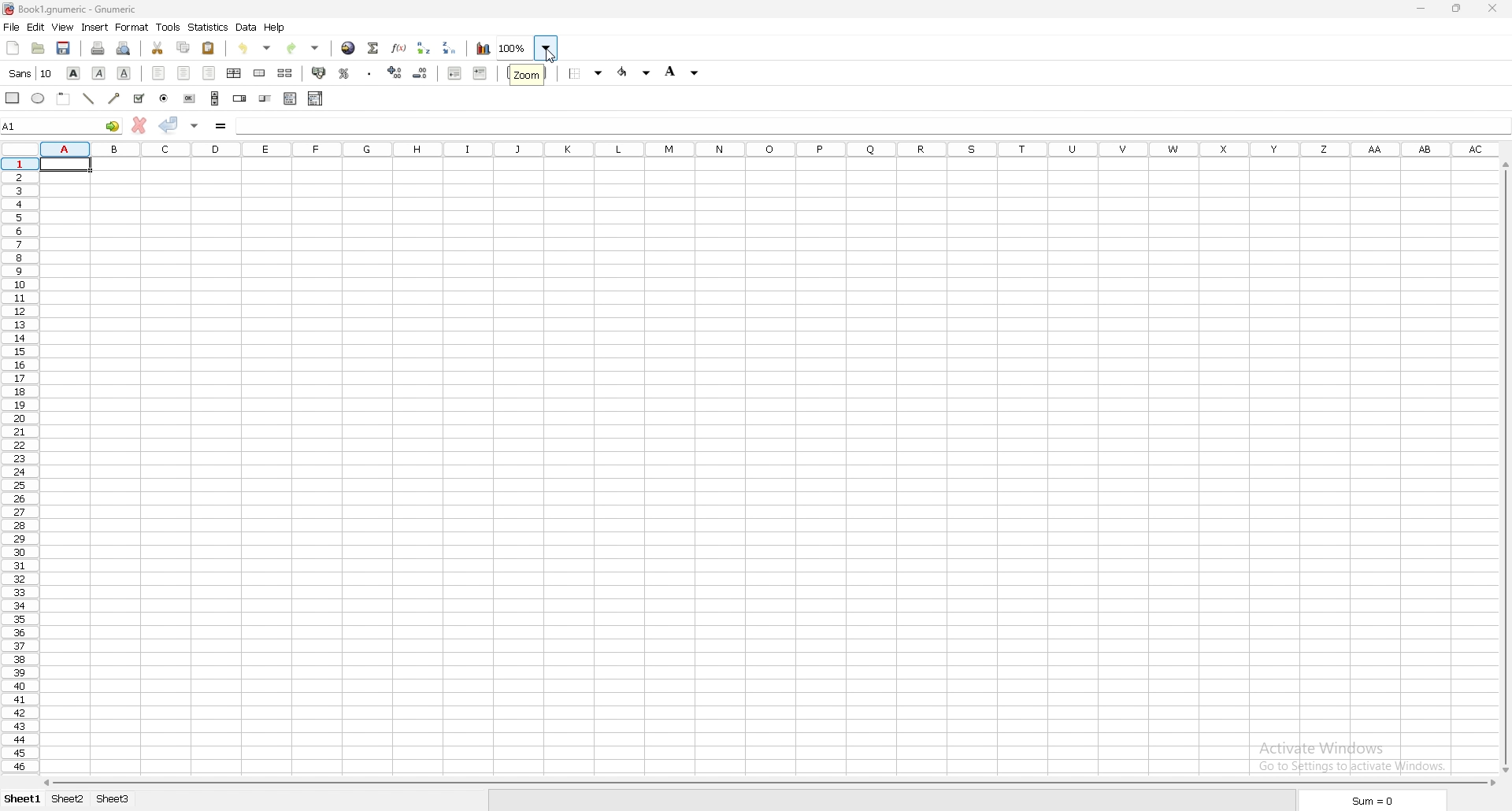 This screenshot has height=811, width=1512. Describe the element at coordinates (114, 799) in the screenshot. I see `sheet 3` at that location.